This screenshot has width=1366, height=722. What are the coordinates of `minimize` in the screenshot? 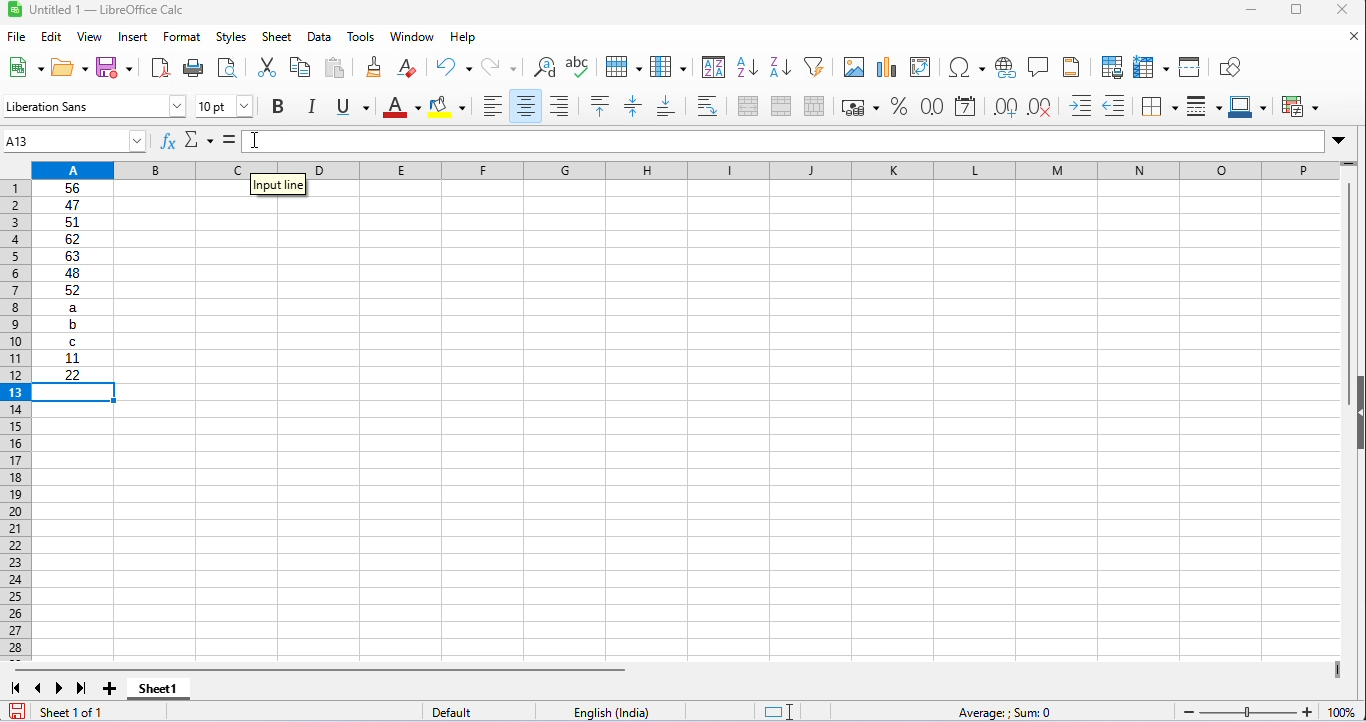 It's located at (1250, 11).